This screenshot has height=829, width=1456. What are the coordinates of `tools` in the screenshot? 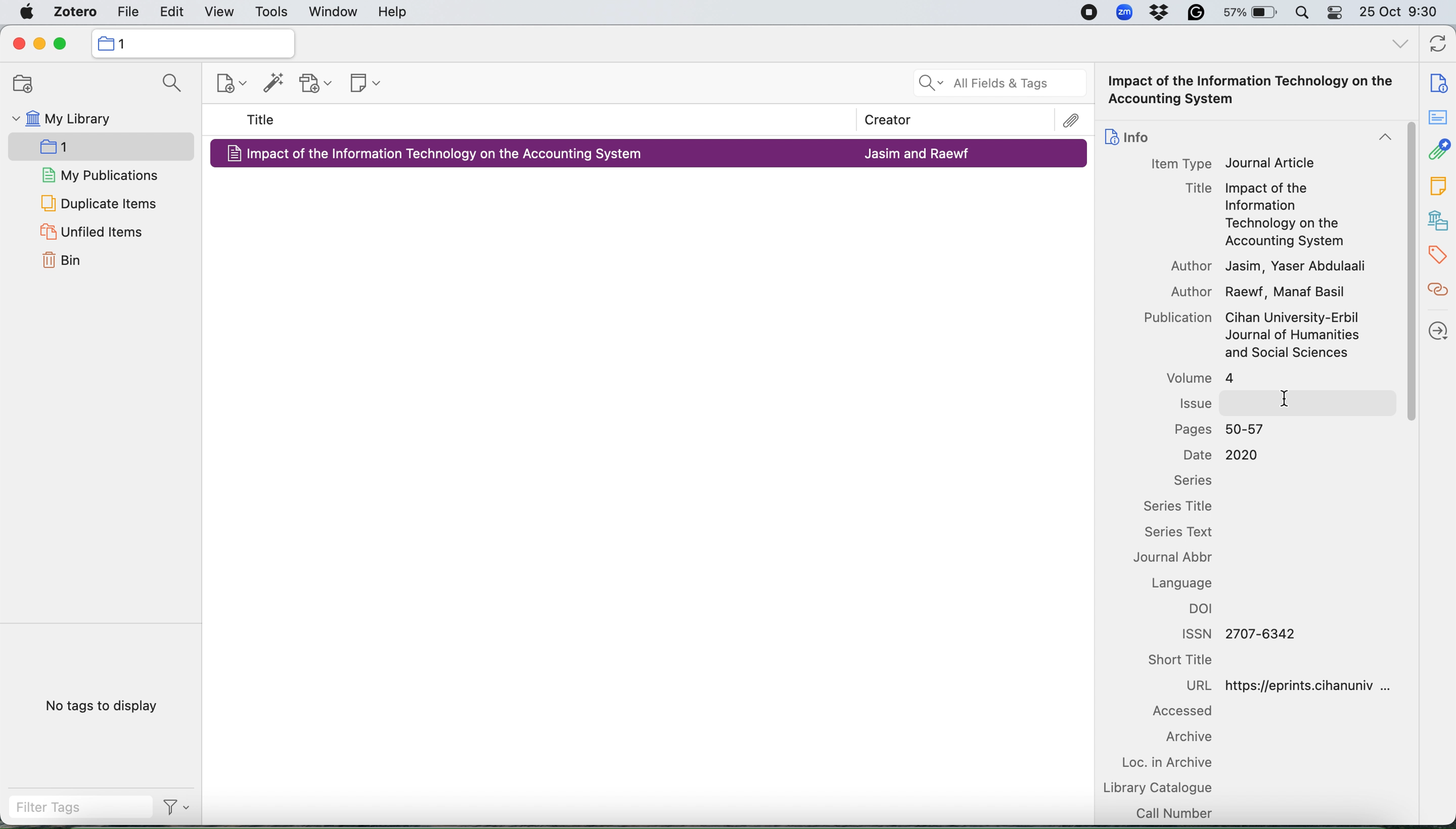 It's located at (272, 11).